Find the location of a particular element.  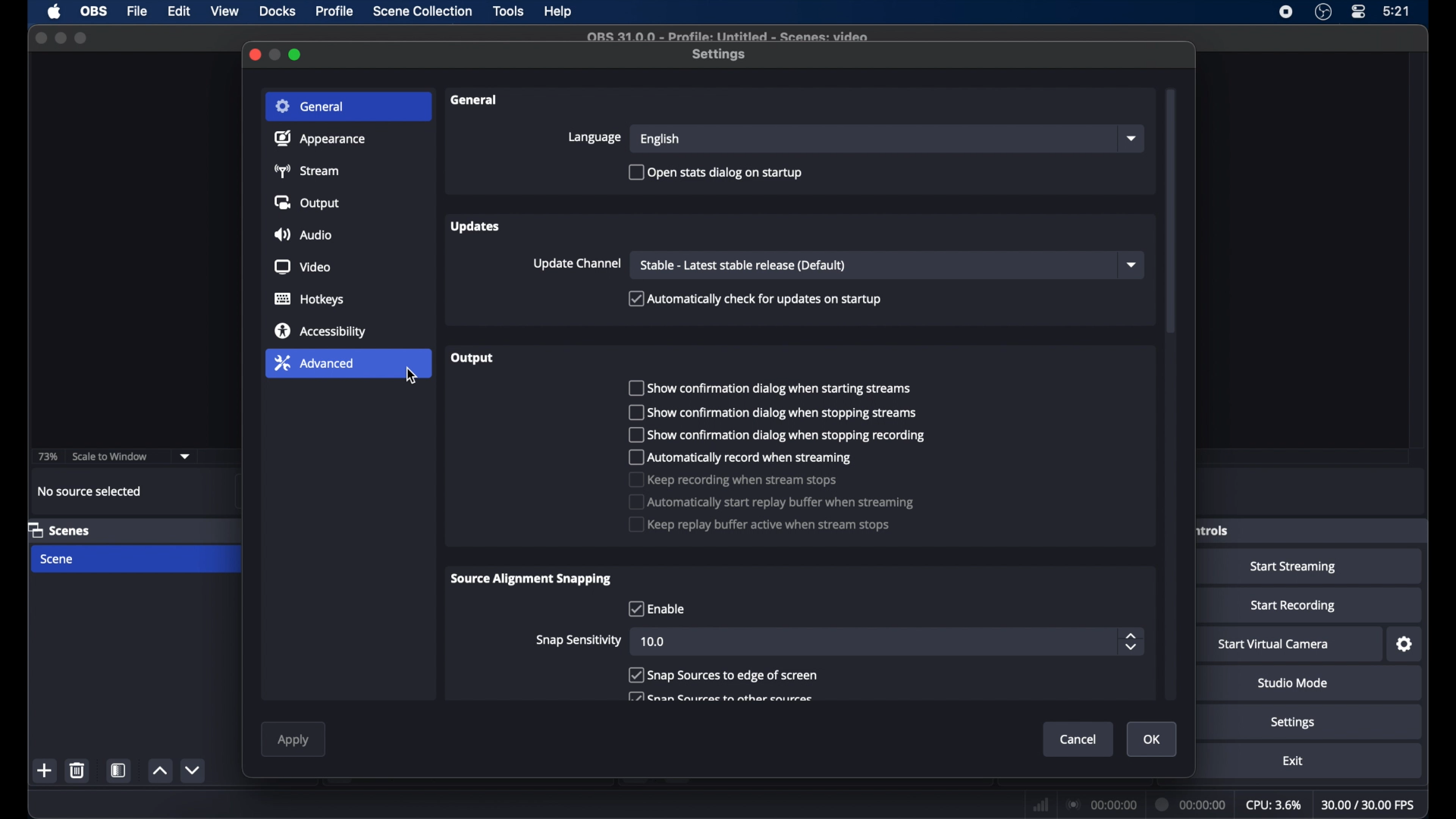

english is located at coordinates (661, 140).